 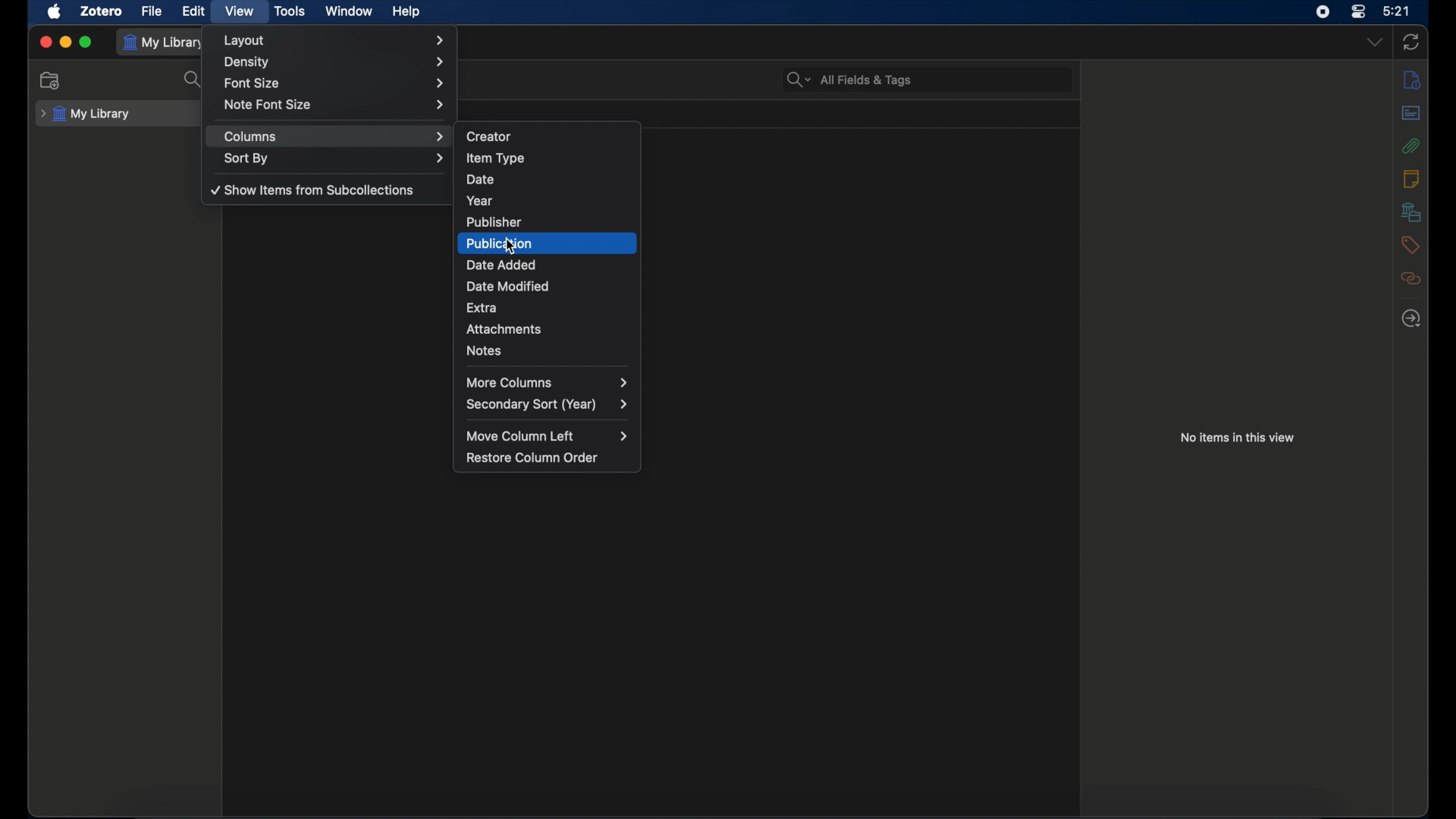 What do you see at coordinates (335, 158) in the screenshot?
I see `sort by` at bounding box center [335, 158].